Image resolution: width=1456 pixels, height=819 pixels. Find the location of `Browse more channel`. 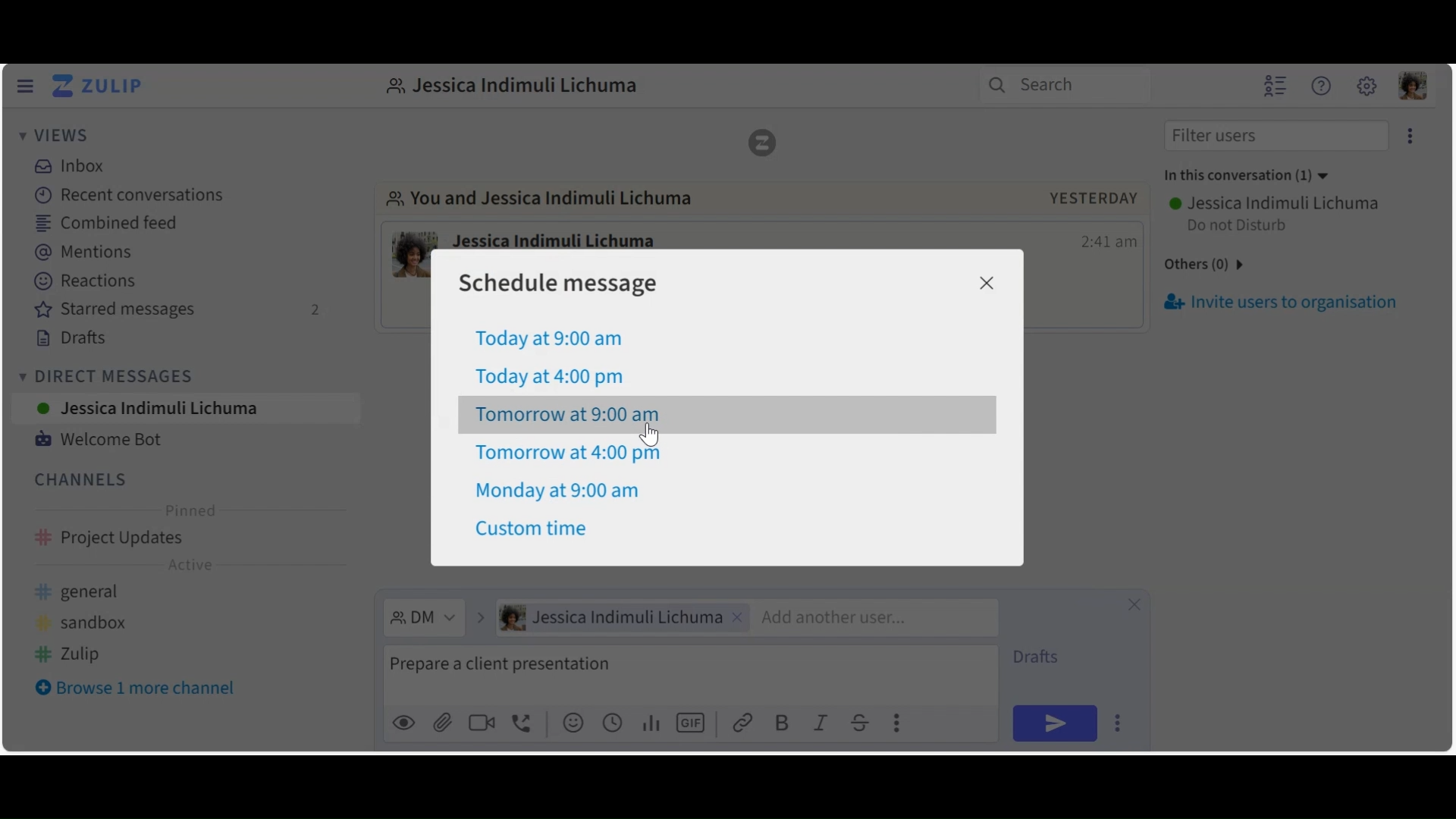

Browse more channel is located at coordinates (146, 690).